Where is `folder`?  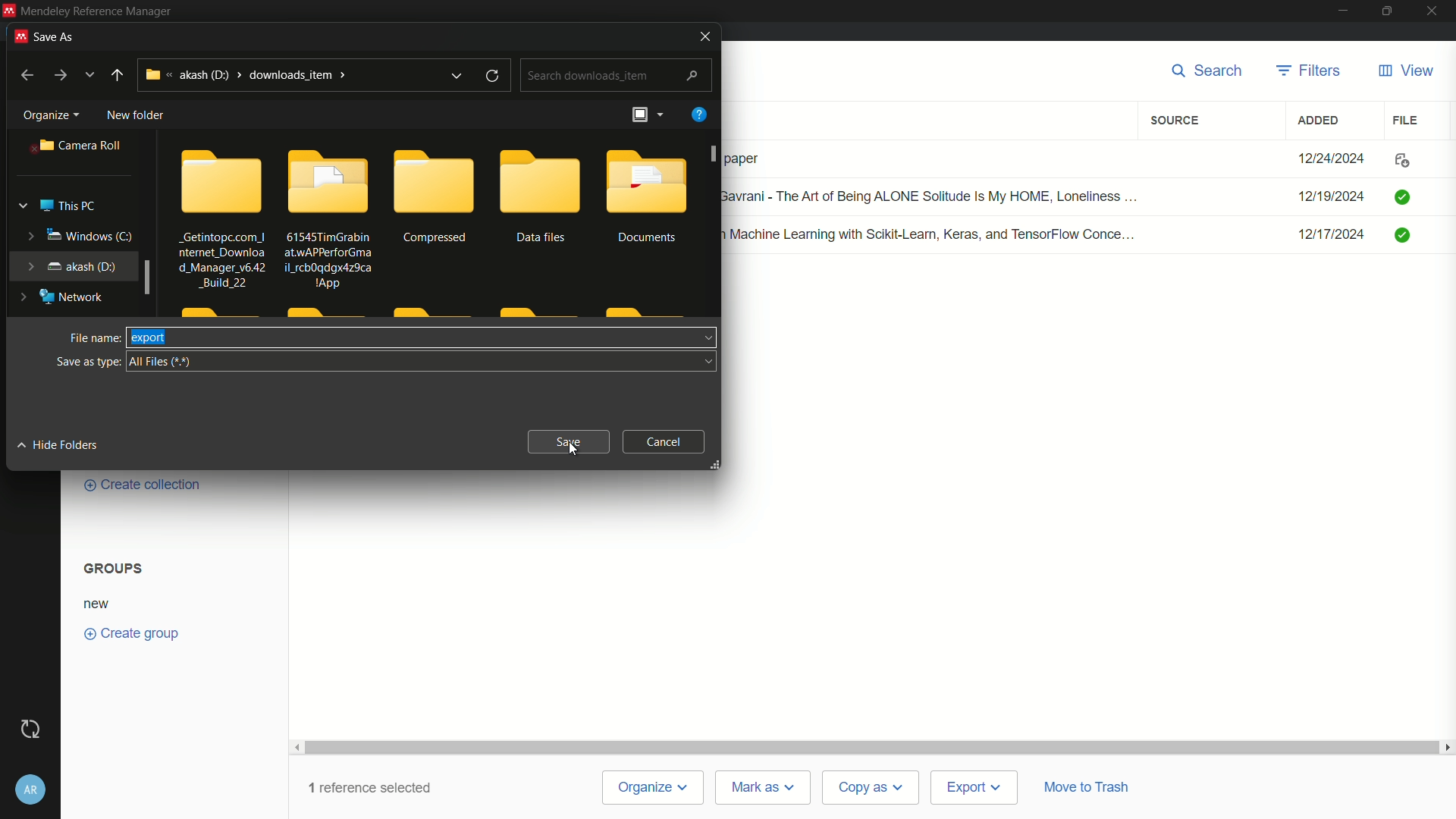
folder is located at coordinates (541, 181).